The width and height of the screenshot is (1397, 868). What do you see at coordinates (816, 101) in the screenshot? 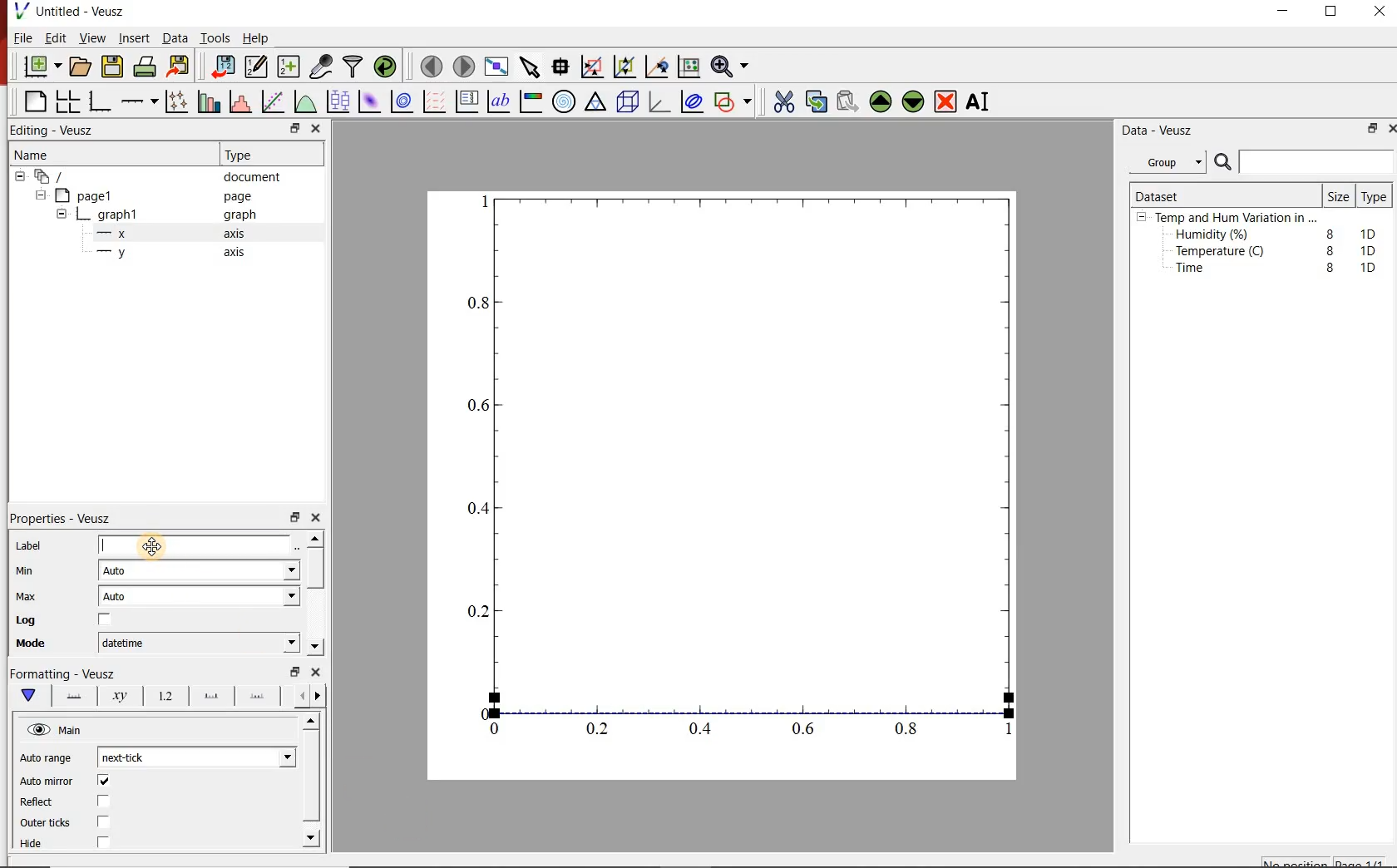
I see `copy the selected widget` at bounding box center [816, 101].